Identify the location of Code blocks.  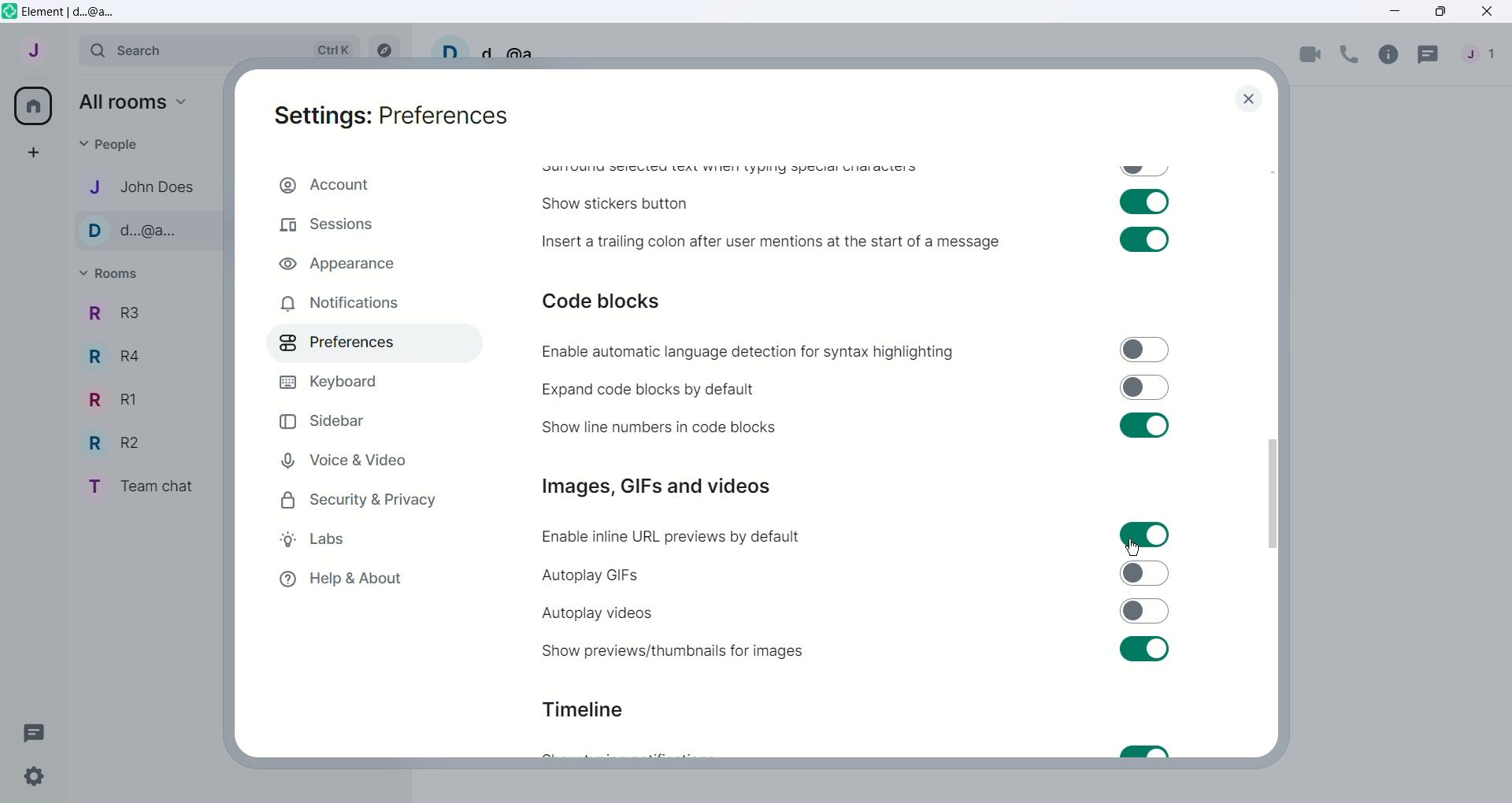
(602, 300).